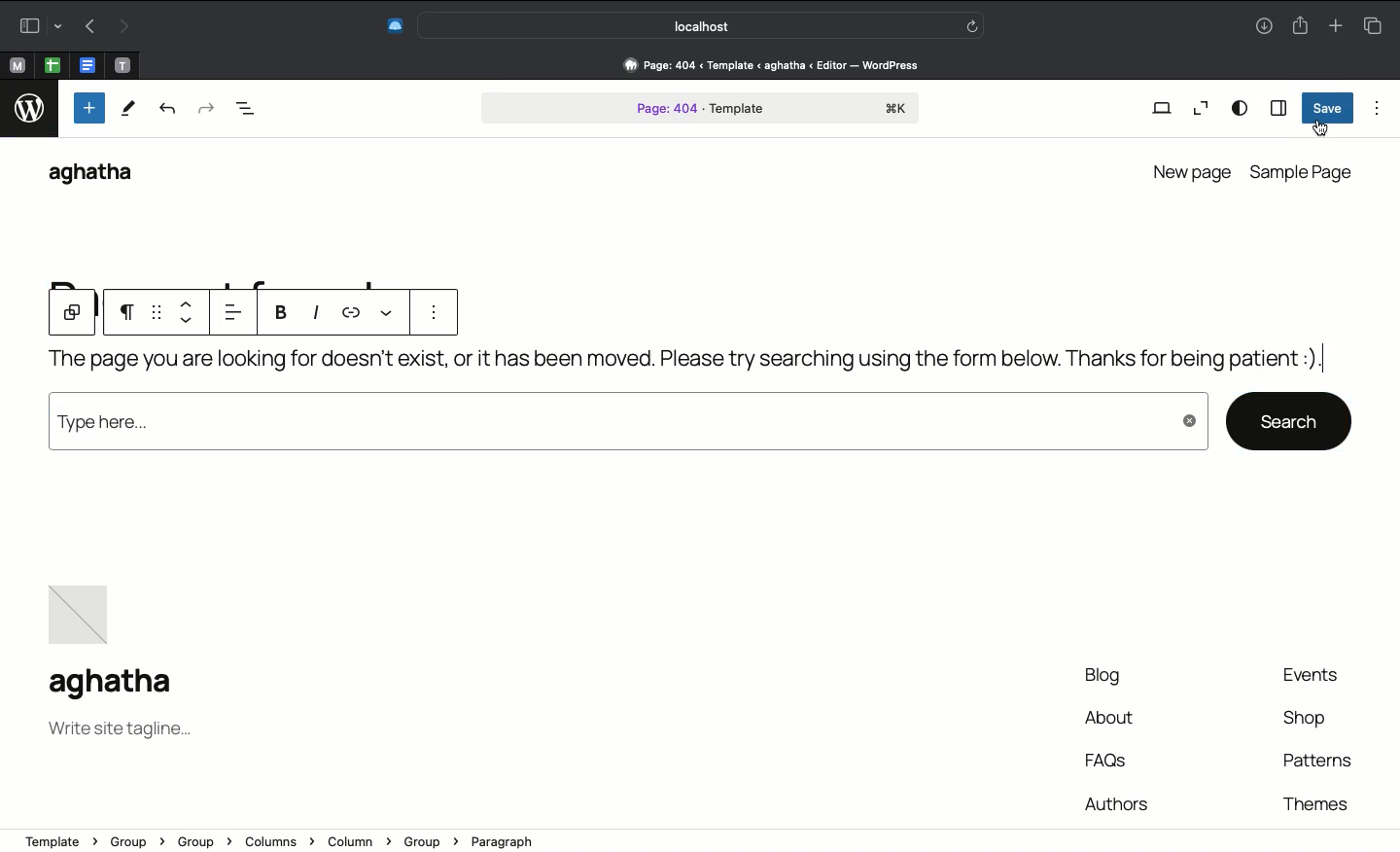 This screenshot has width=1400, height=852. Describe the element at coordinates (761, 65) in the screenshot. I see `Address` at that location.